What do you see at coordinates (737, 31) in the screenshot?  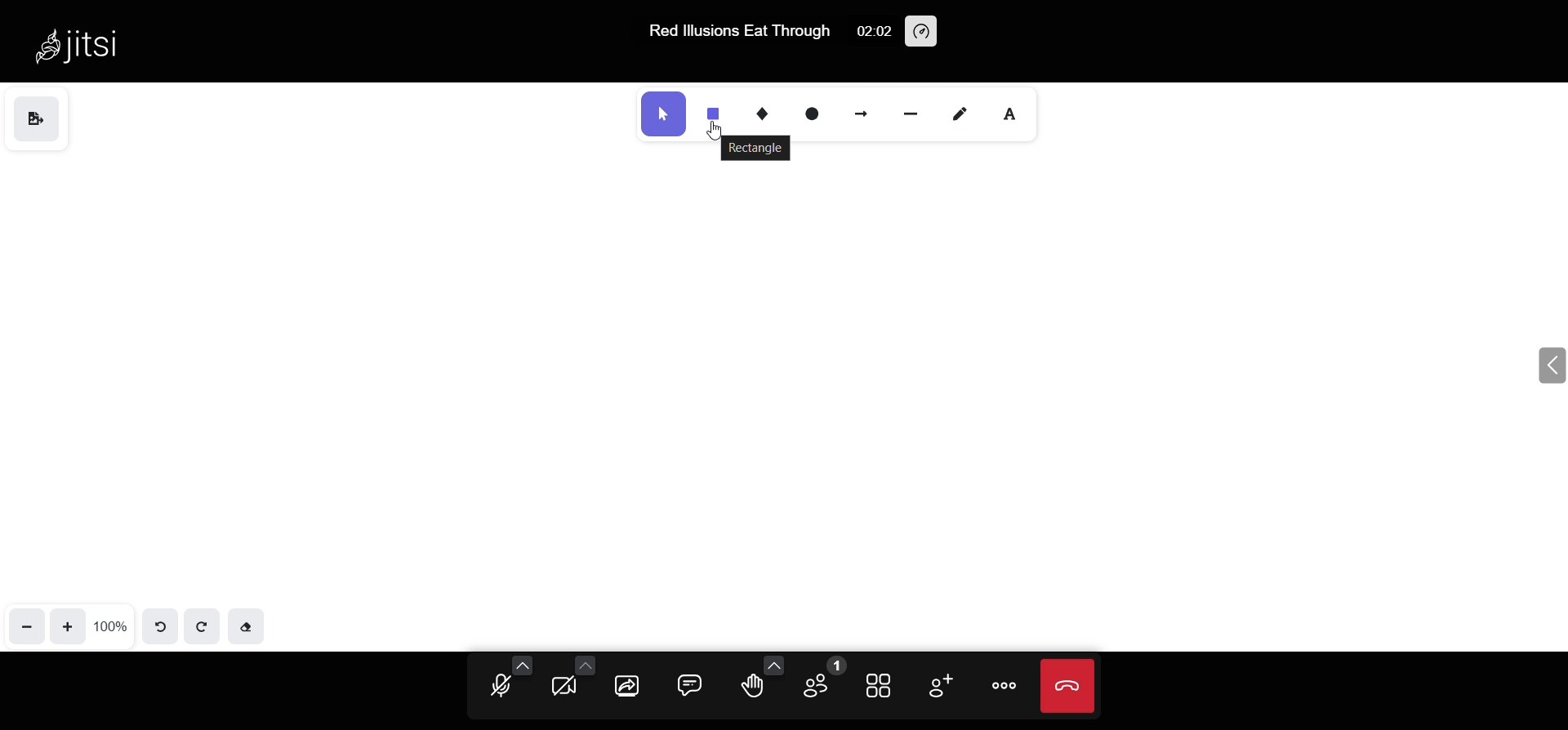 I see `Red lllusions Eat Through` at bounding box center [737, 31].